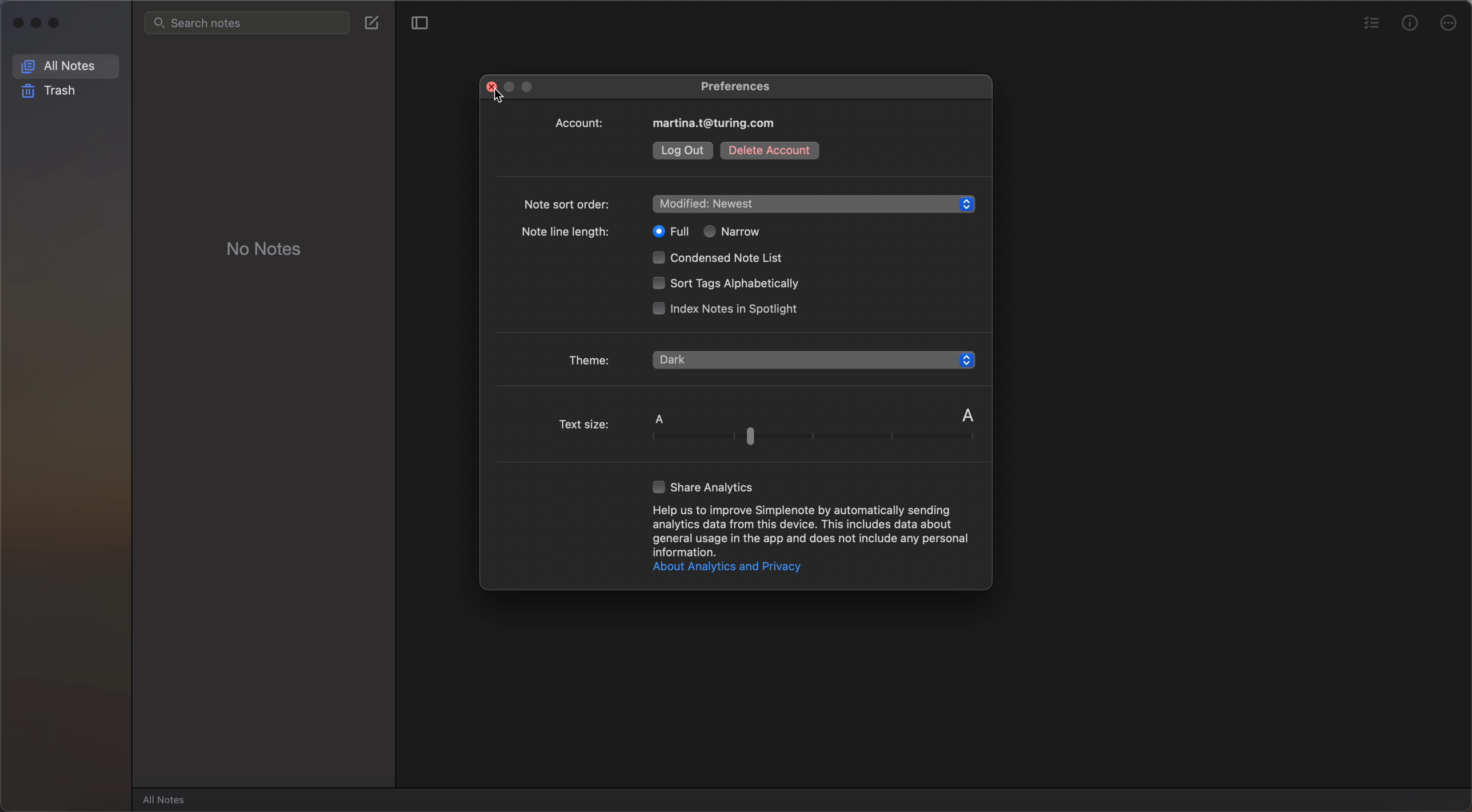  Describe the element at coordinates (811, 530) in the screenshot. I see `Help us to improve Simplenote by automatically sending analytics data from this device...` at that location.